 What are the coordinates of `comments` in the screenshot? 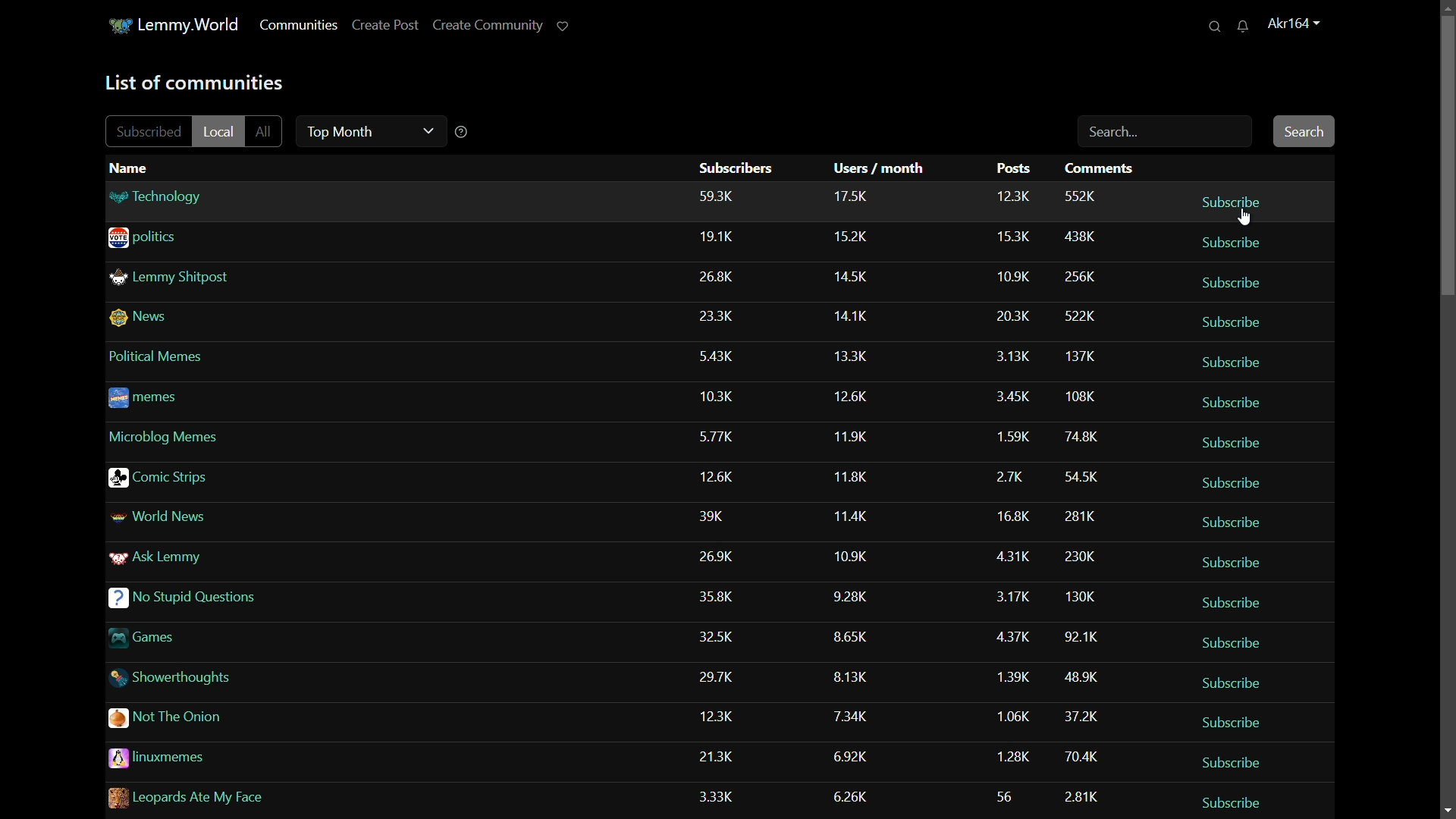 It's located at (1083, 513).